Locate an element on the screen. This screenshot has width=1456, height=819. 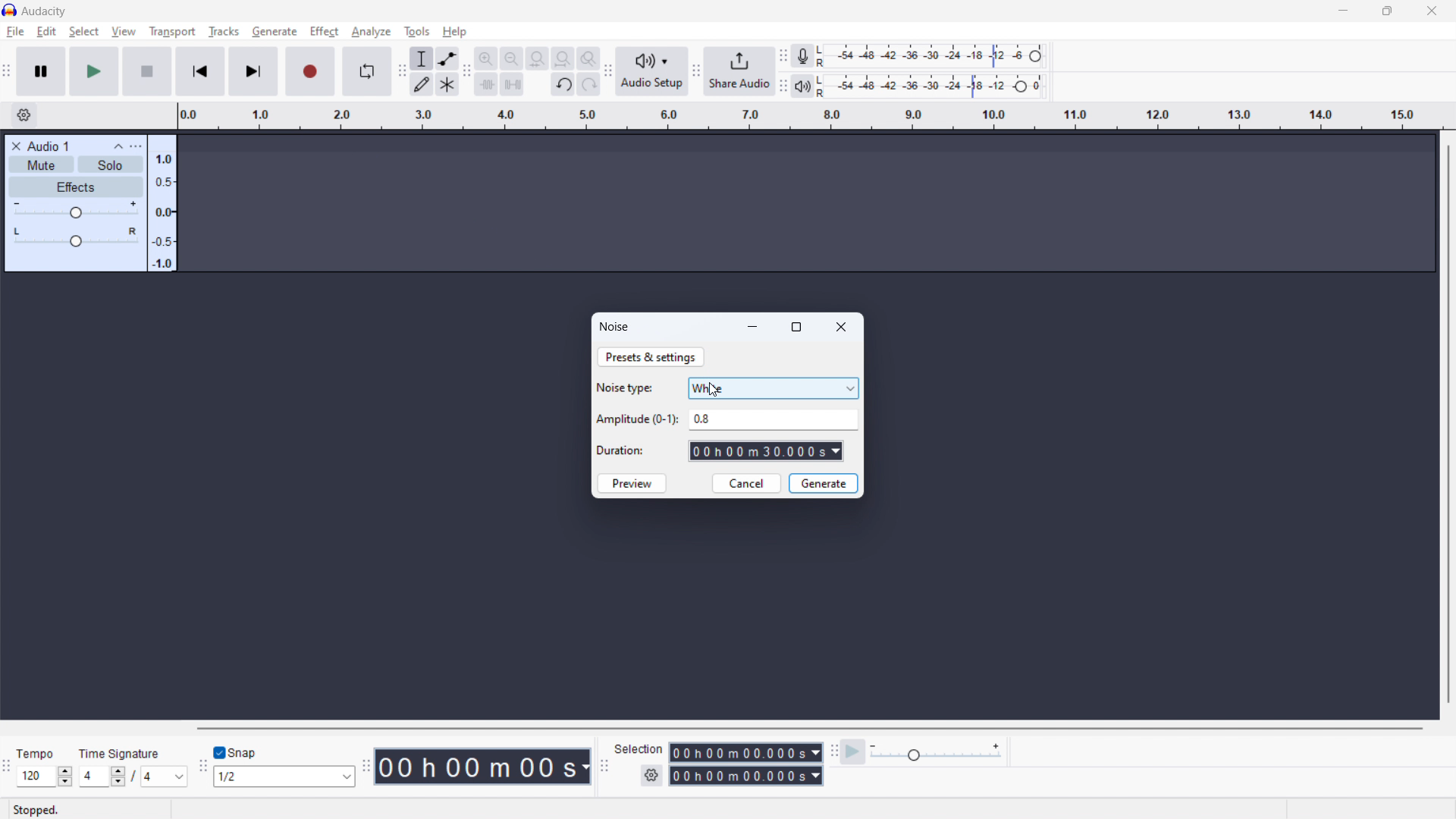
set time signature is located at coordinates (134, 777).